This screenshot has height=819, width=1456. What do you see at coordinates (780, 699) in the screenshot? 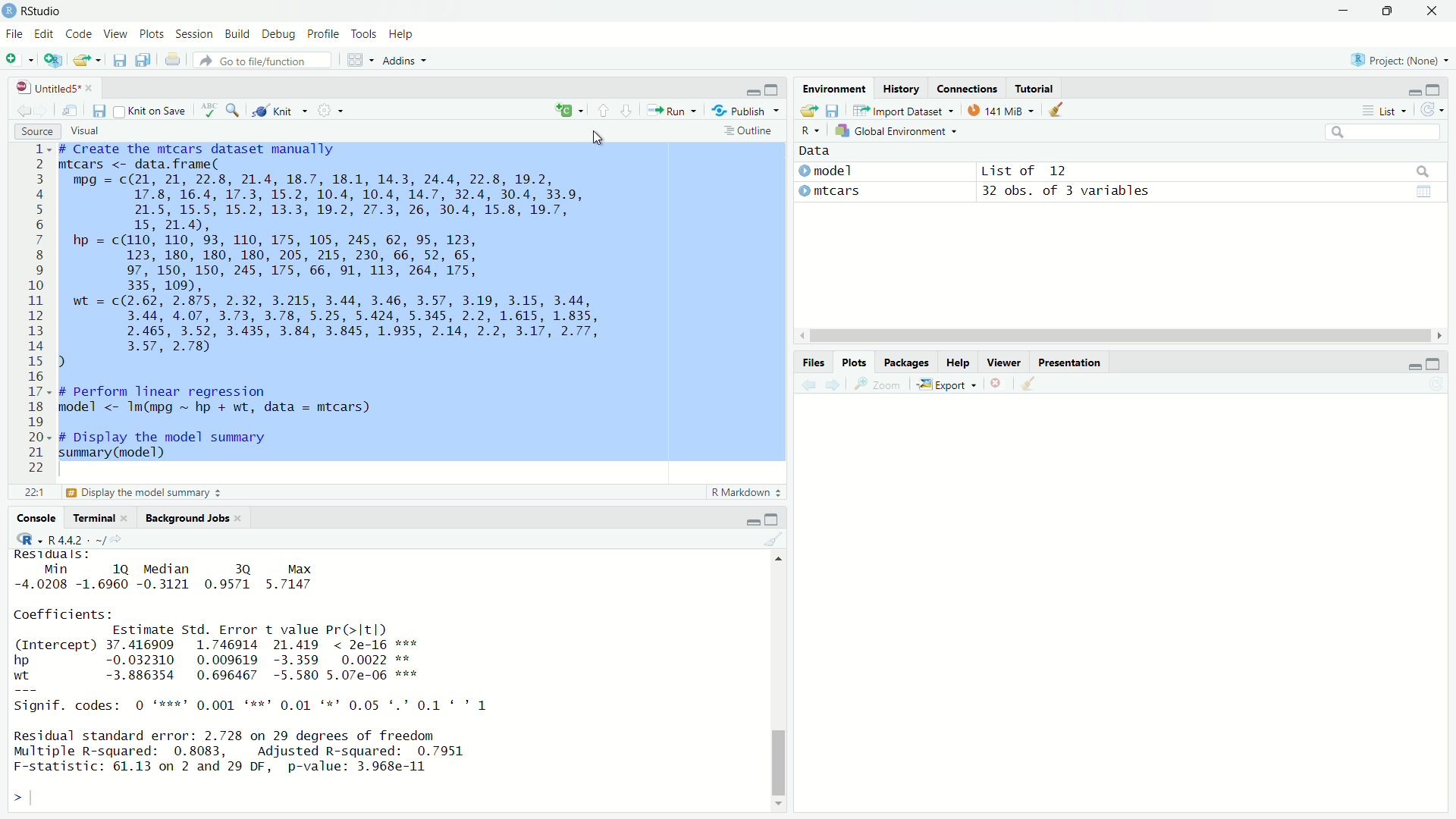
I see `scroll bar` at bounding box center [780, 699].